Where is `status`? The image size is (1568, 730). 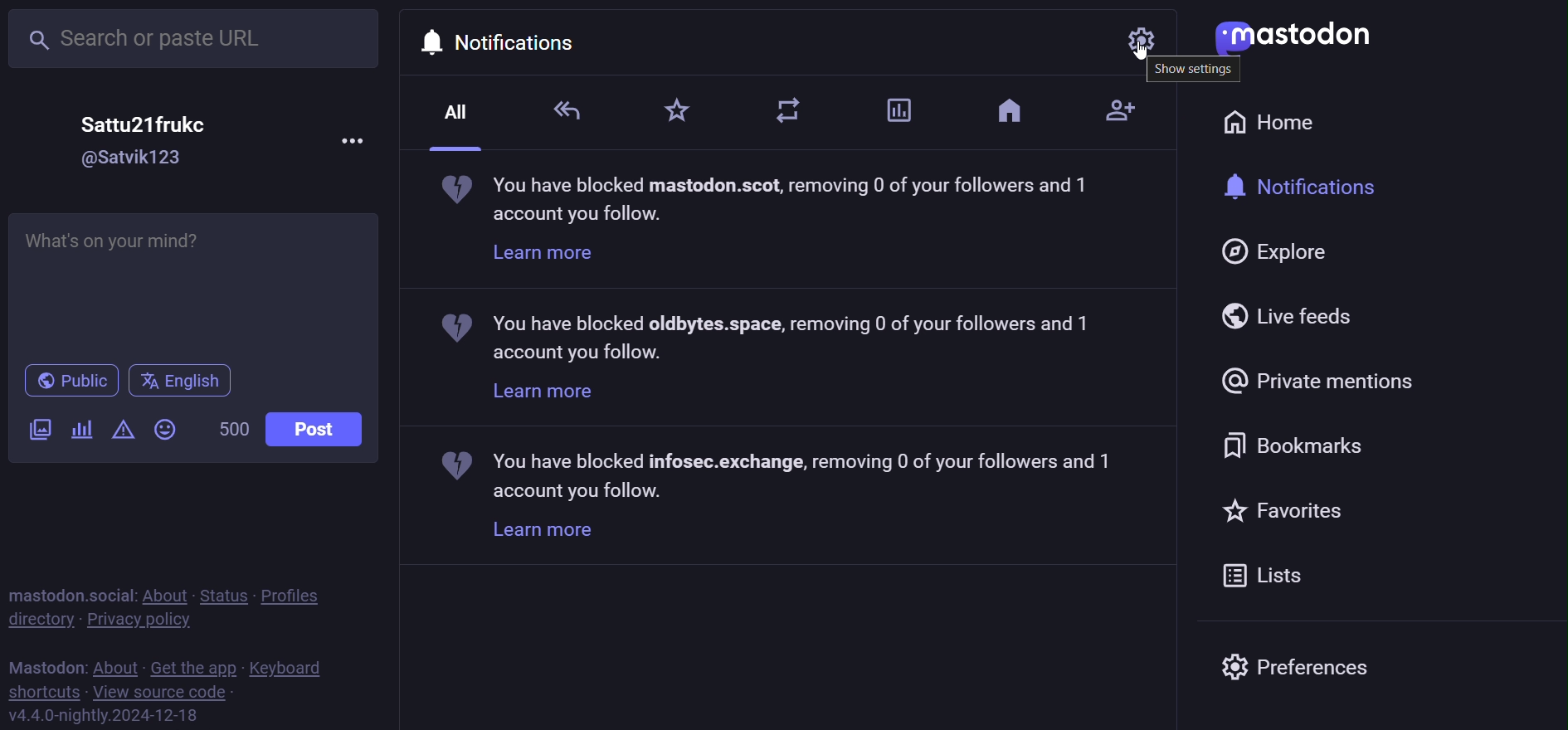 status is located at coordinates (221, 593).